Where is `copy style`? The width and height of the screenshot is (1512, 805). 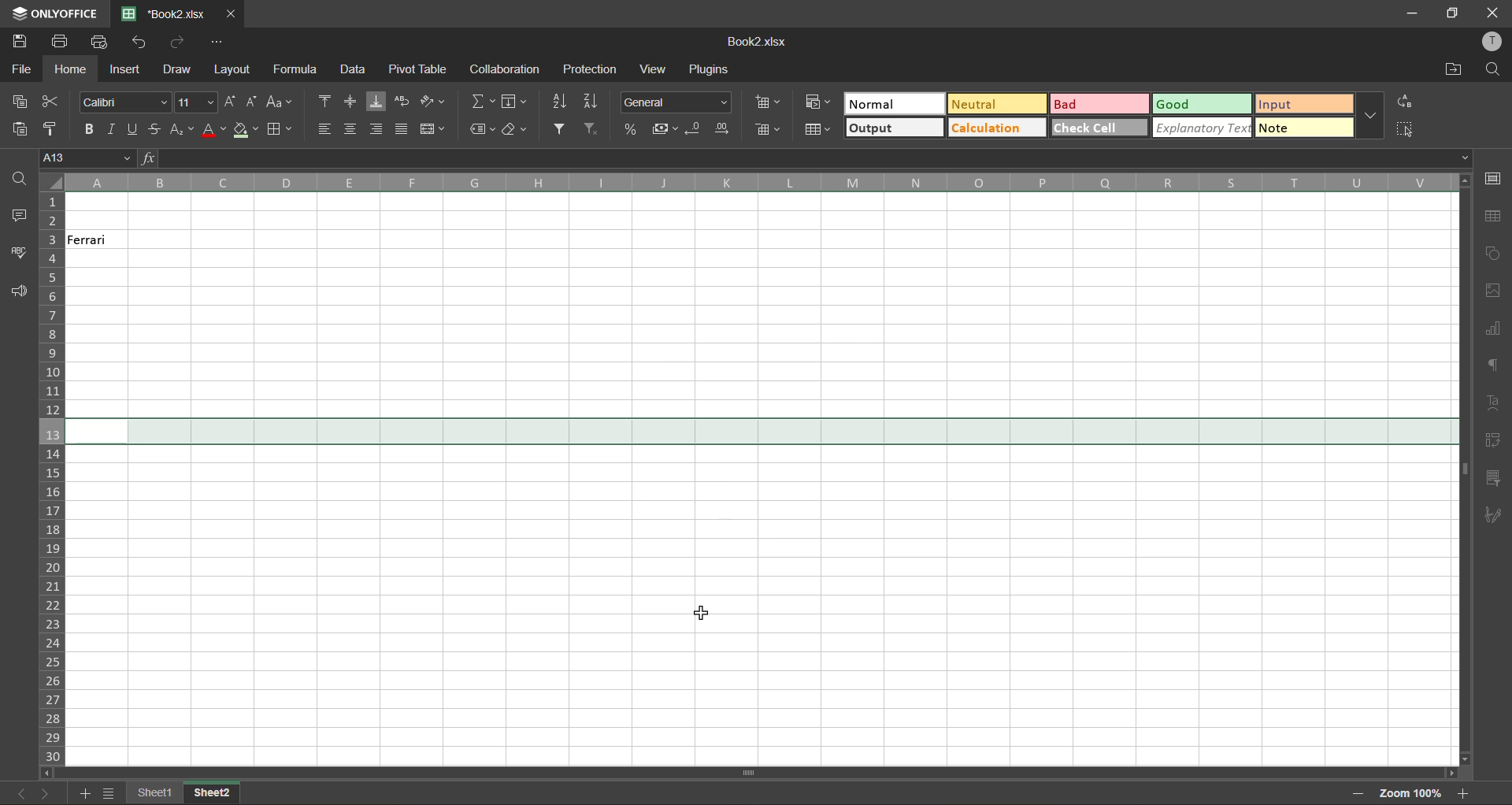
copy style is located at coordinates (55, 126).